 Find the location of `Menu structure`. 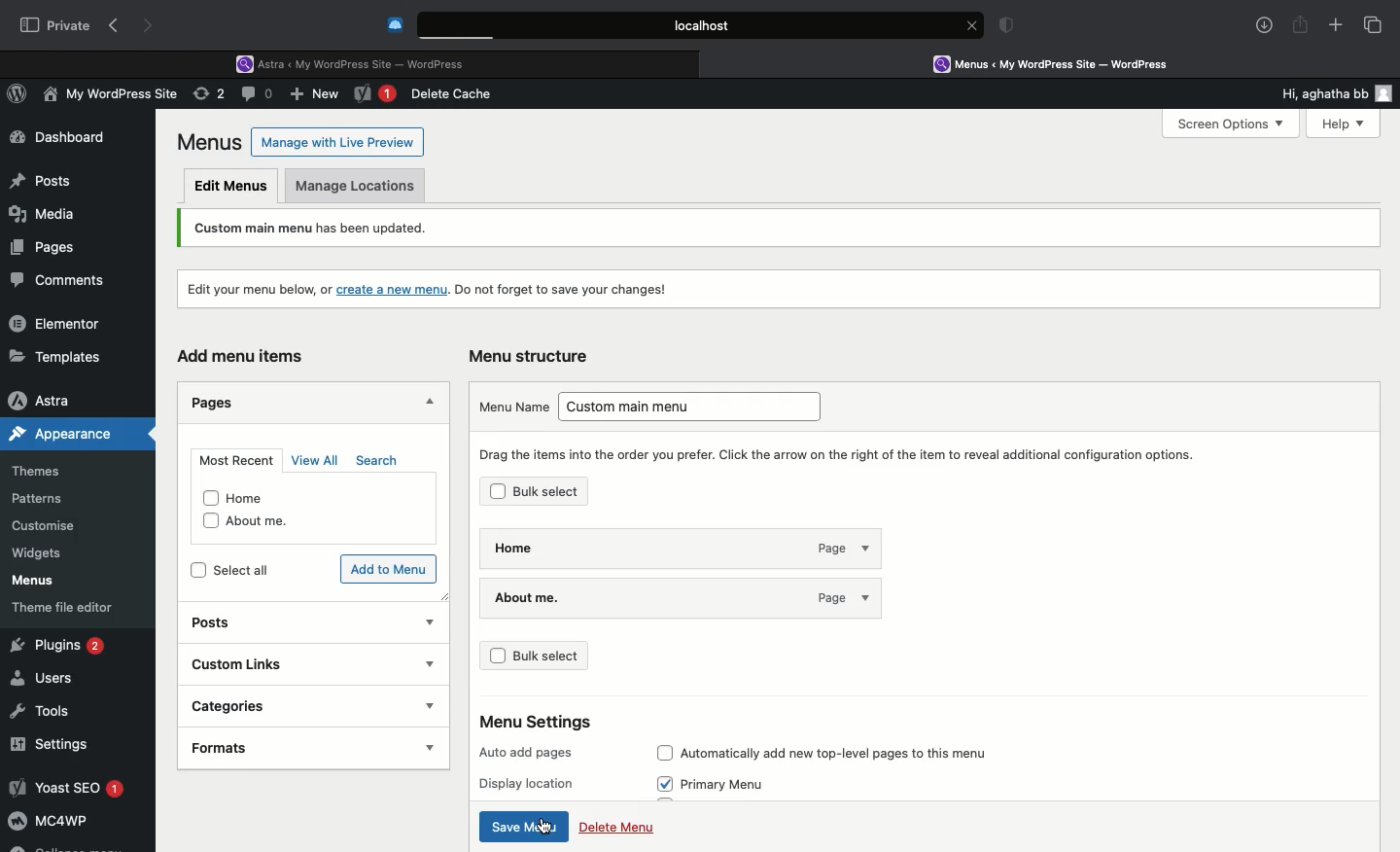

Menu structure is located at coordinates (533, 356).